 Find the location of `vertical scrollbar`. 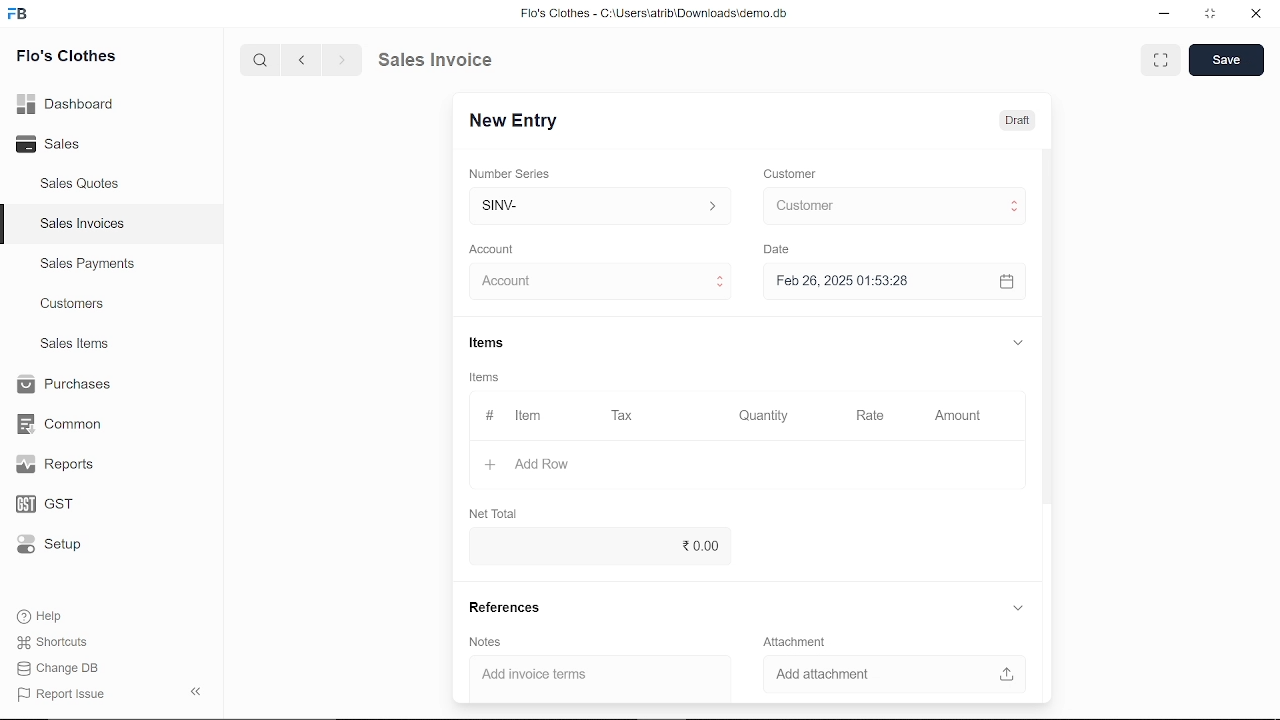

vertical scrollbar is located at coordinates (1048, 329).